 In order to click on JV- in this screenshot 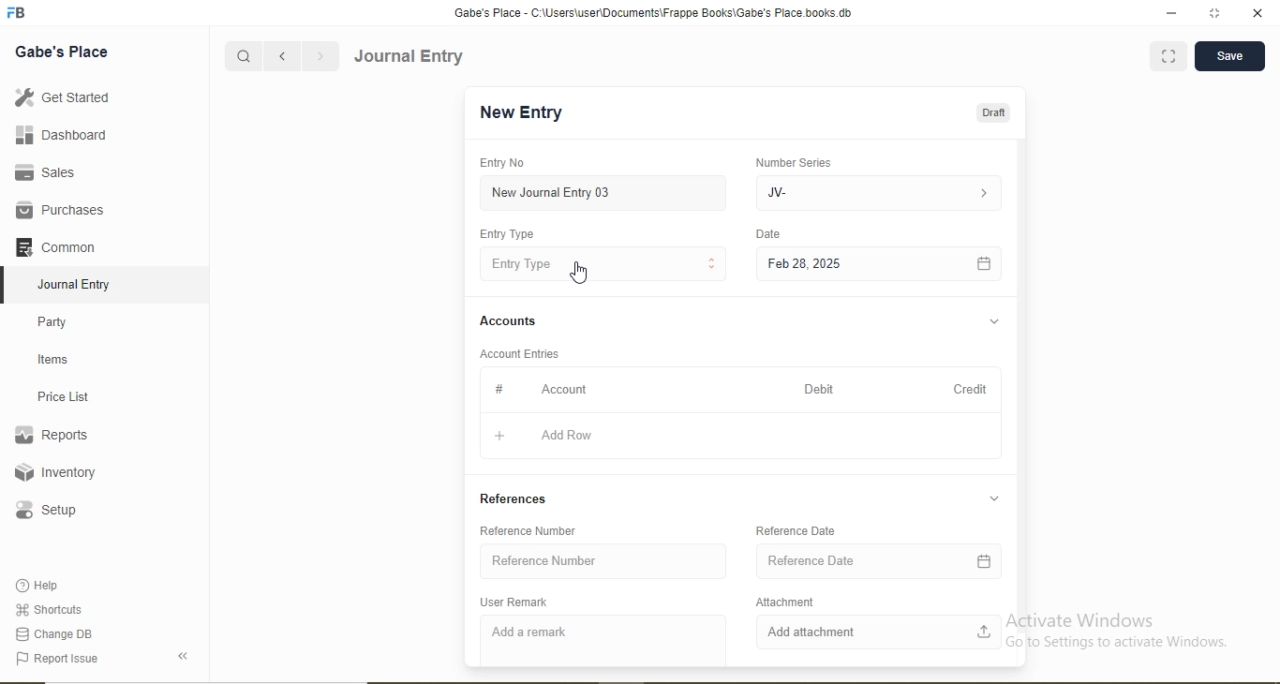, I will do `click(777, 193)`.